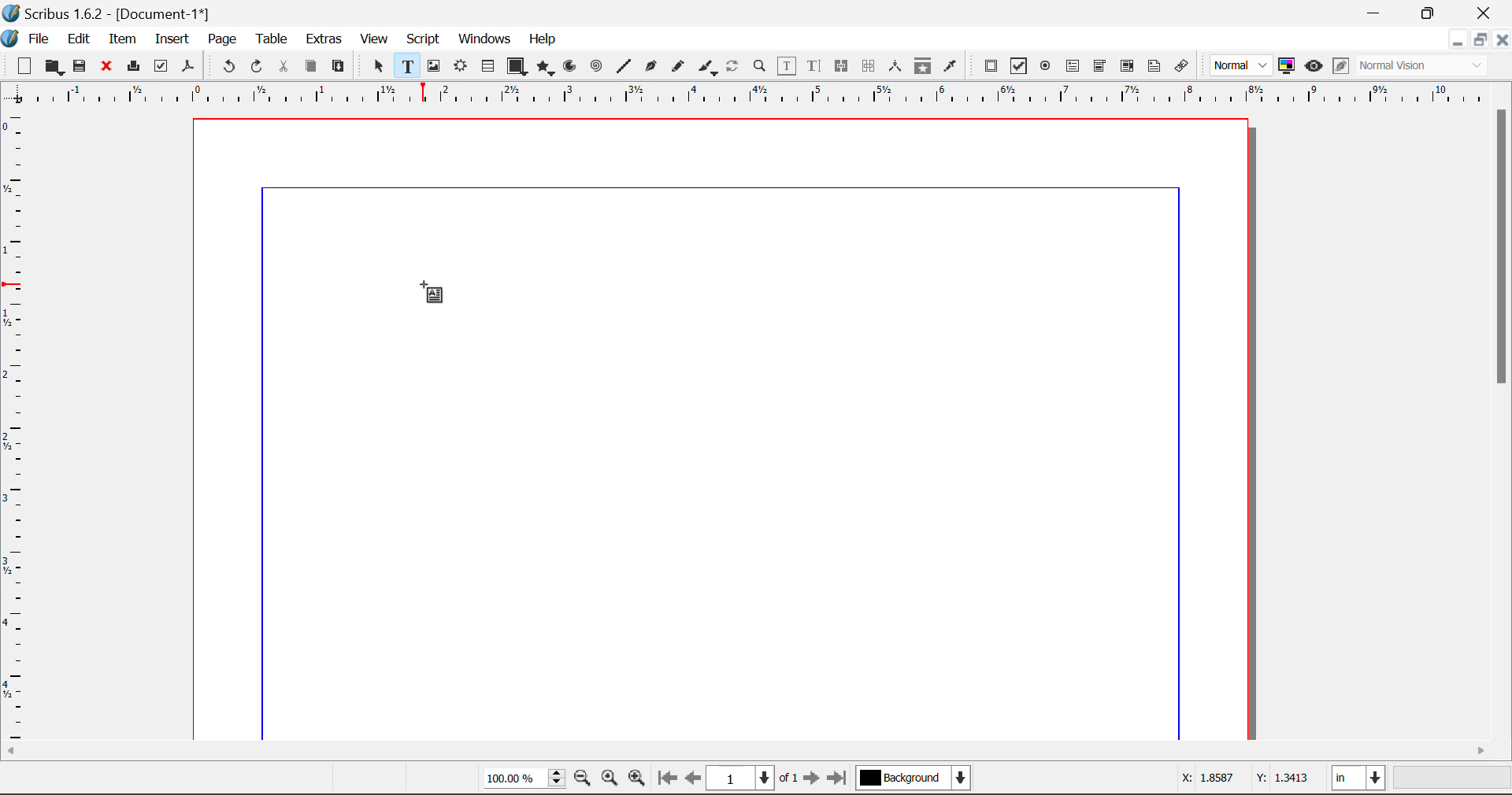 The width and height of the screenshot is (1512, 795). What do you see at coordinates (754, 778) in the screenshot?
I see `Page 1 of 1` at bounding box center [754, 778].